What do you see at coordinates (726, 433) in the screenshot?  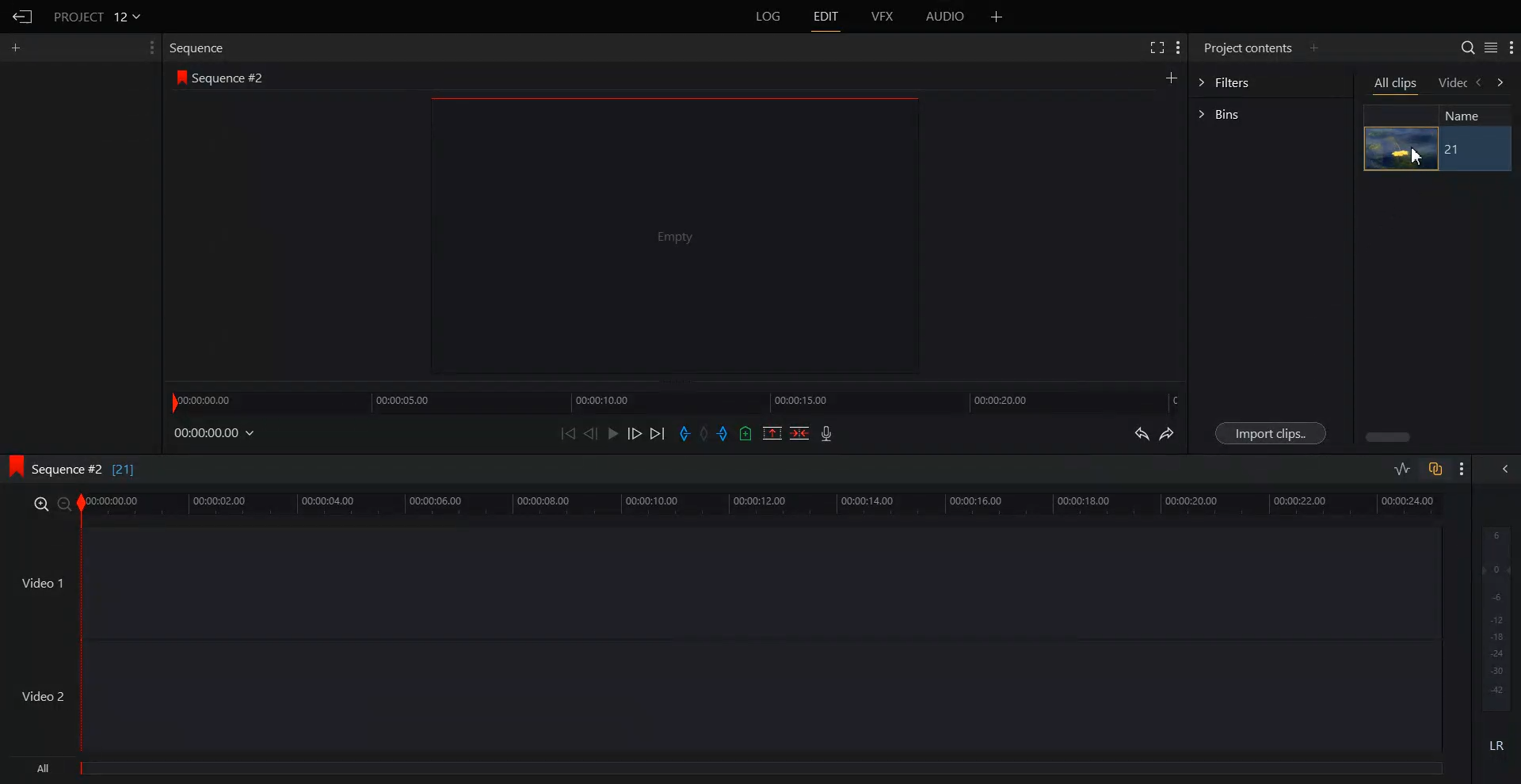 I see `Add an Out Mark to current position` at bounding box center [726, 433].